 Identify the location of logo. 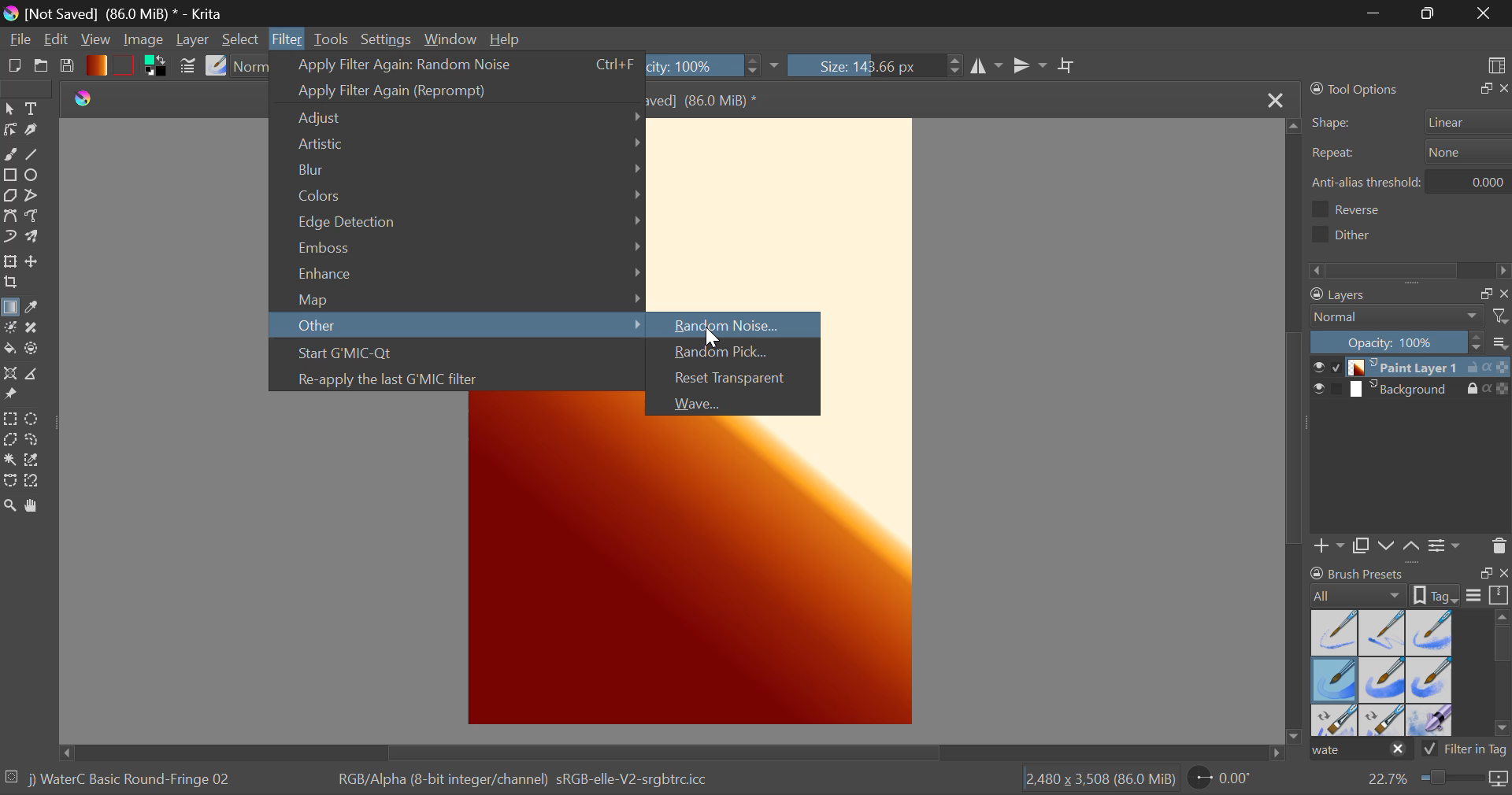
(80, 94).